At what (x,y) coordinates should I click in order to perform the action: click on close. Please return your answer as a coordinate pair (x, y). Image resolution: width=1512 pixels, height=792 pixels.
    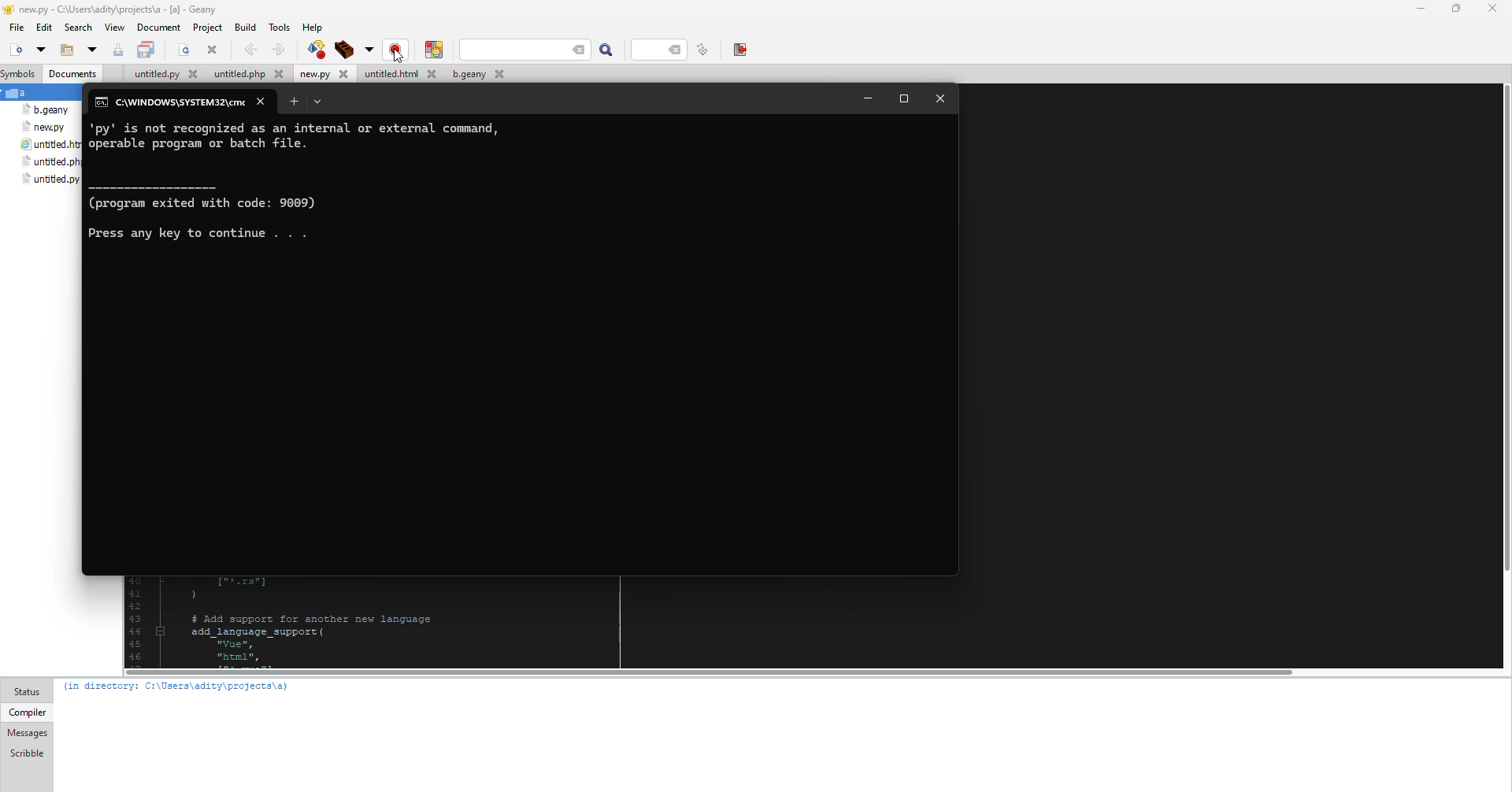
    Looking at the image, I should click on (1493, 8).